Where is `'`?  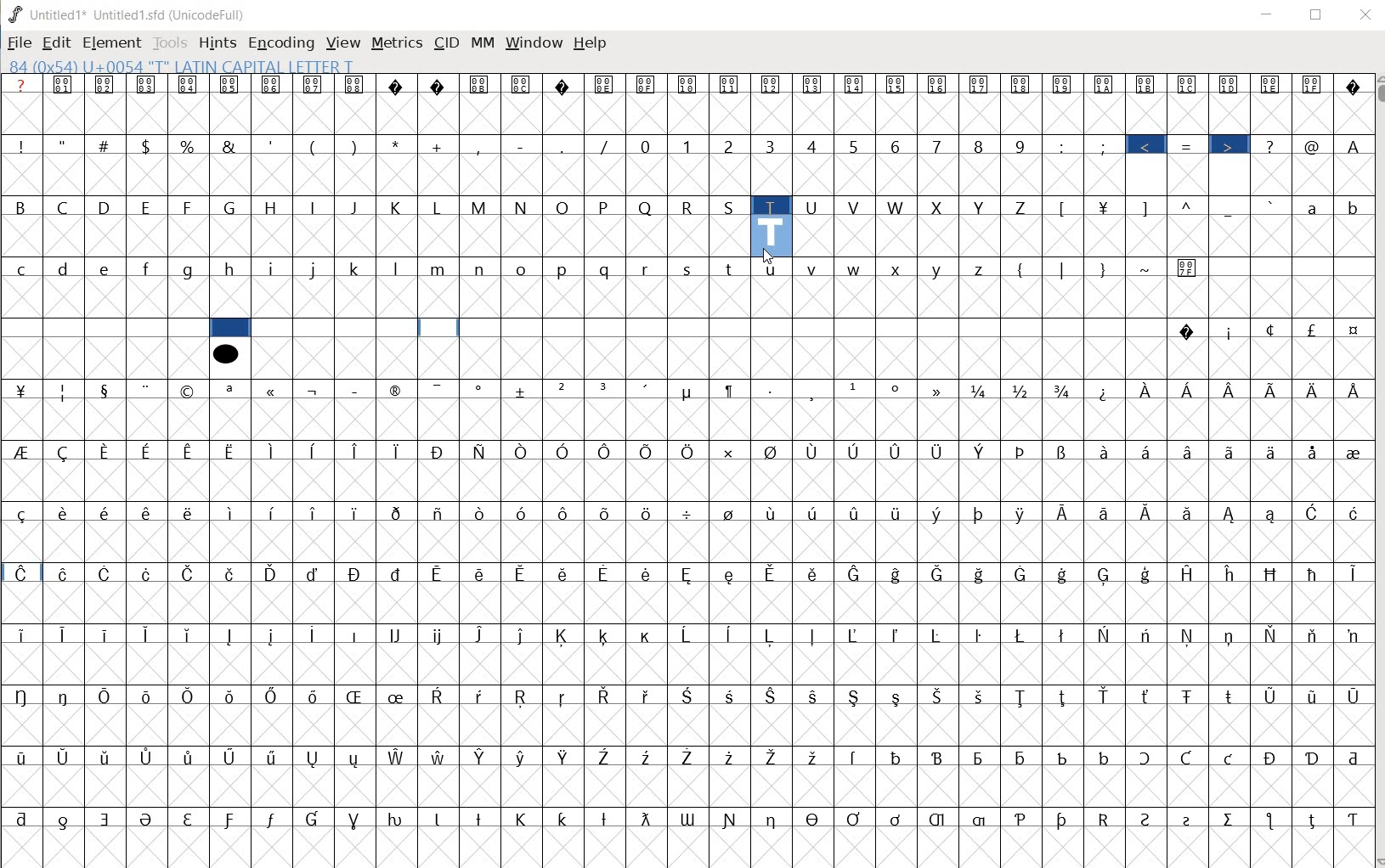 ' is located at coordinates (270, 145).